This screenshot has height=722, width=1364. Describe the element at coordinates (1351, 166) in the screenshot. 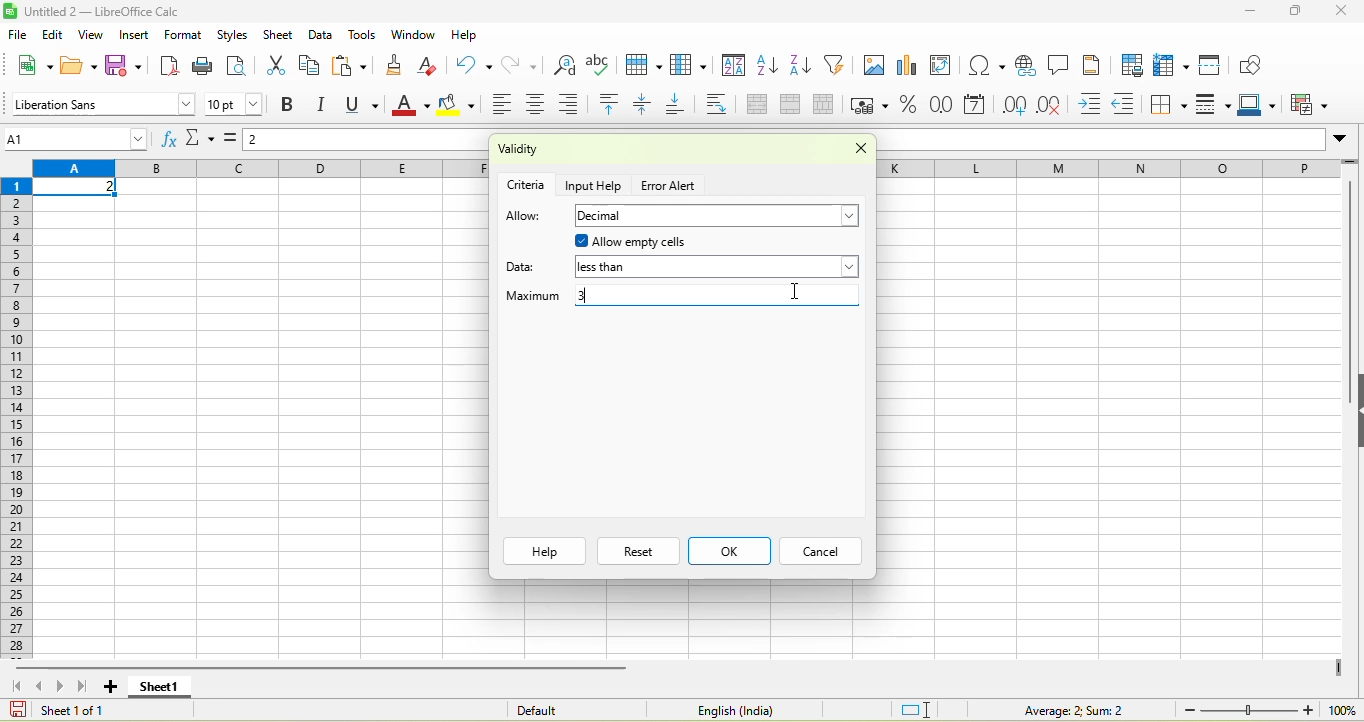

I see `more rows` at that location.